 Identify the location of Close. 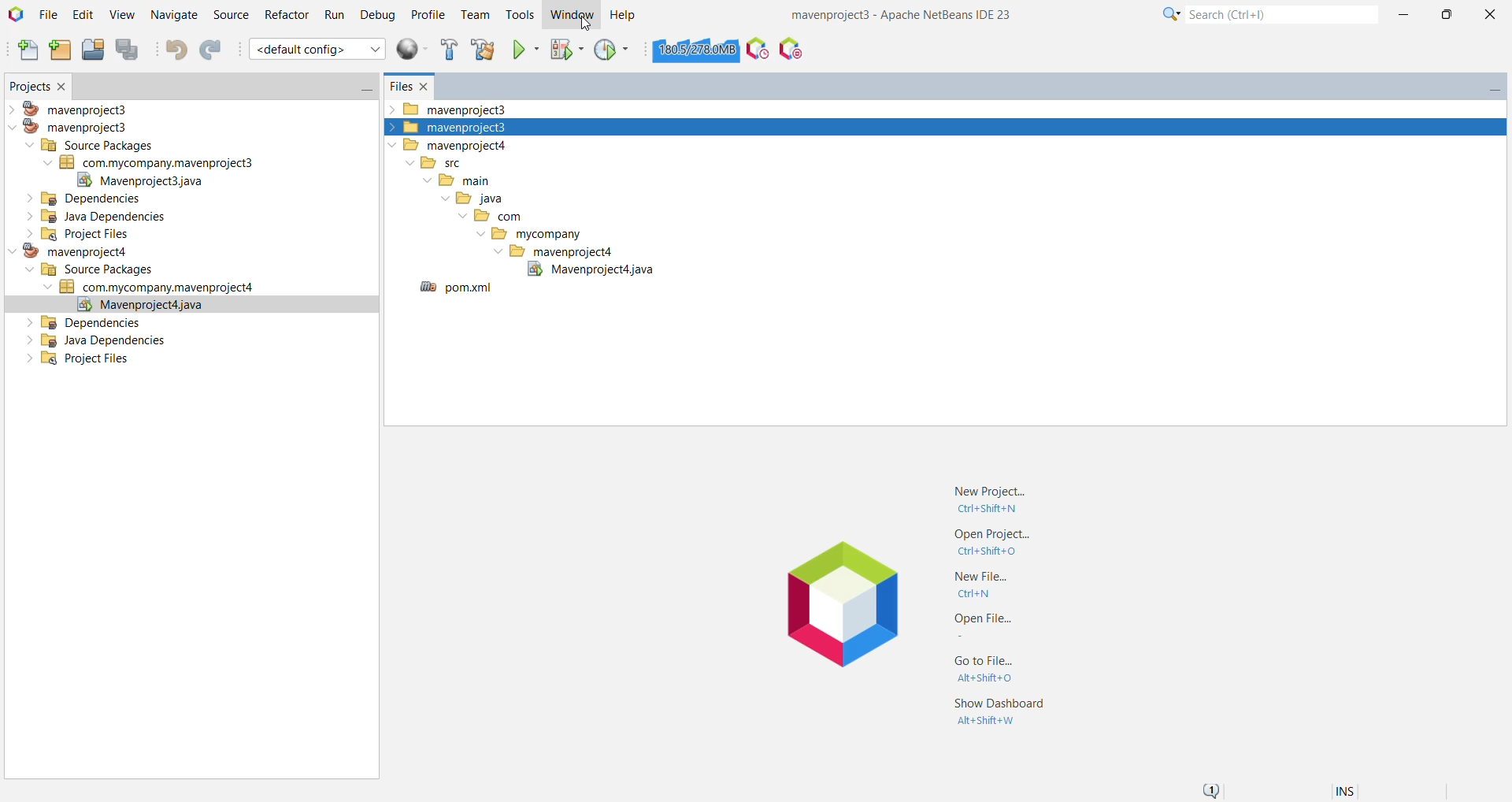
(1489, 13).